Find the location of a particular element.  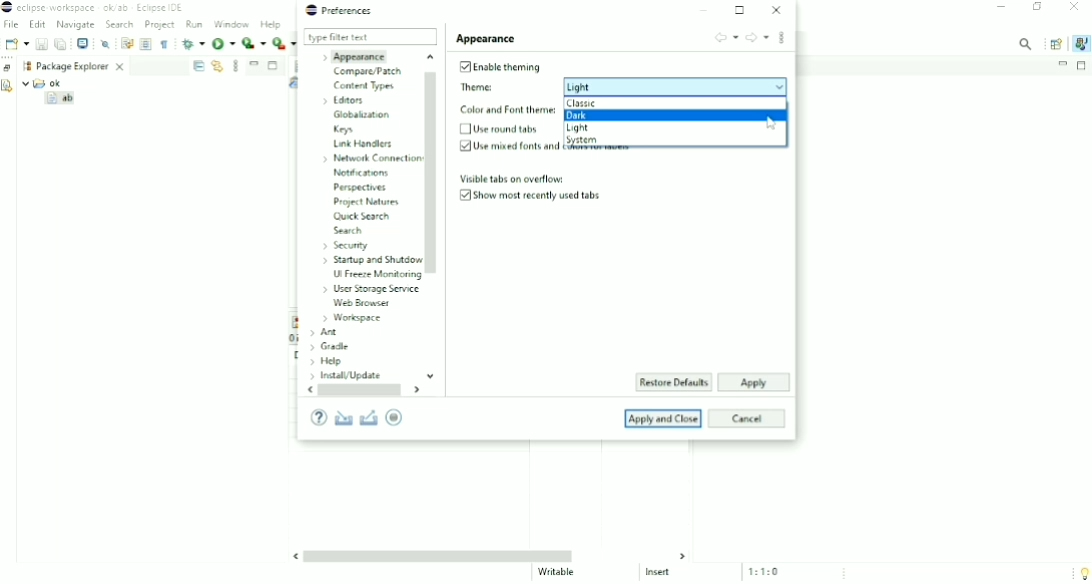

Tip is located at coordinates (1080, 572).